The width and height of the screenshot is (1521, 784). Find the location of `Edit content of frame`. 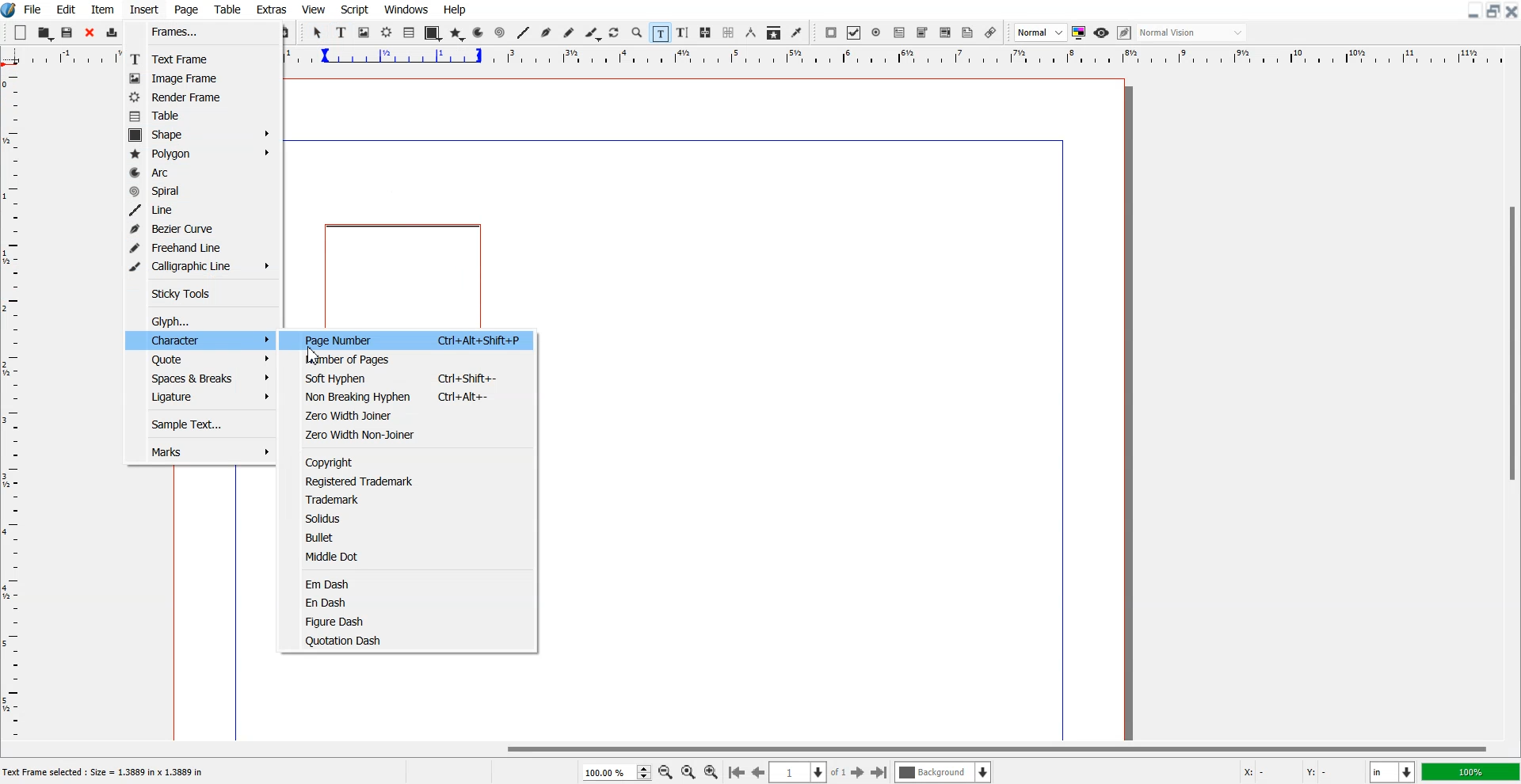

Edit content of frame is located at coordinates (660, 32).